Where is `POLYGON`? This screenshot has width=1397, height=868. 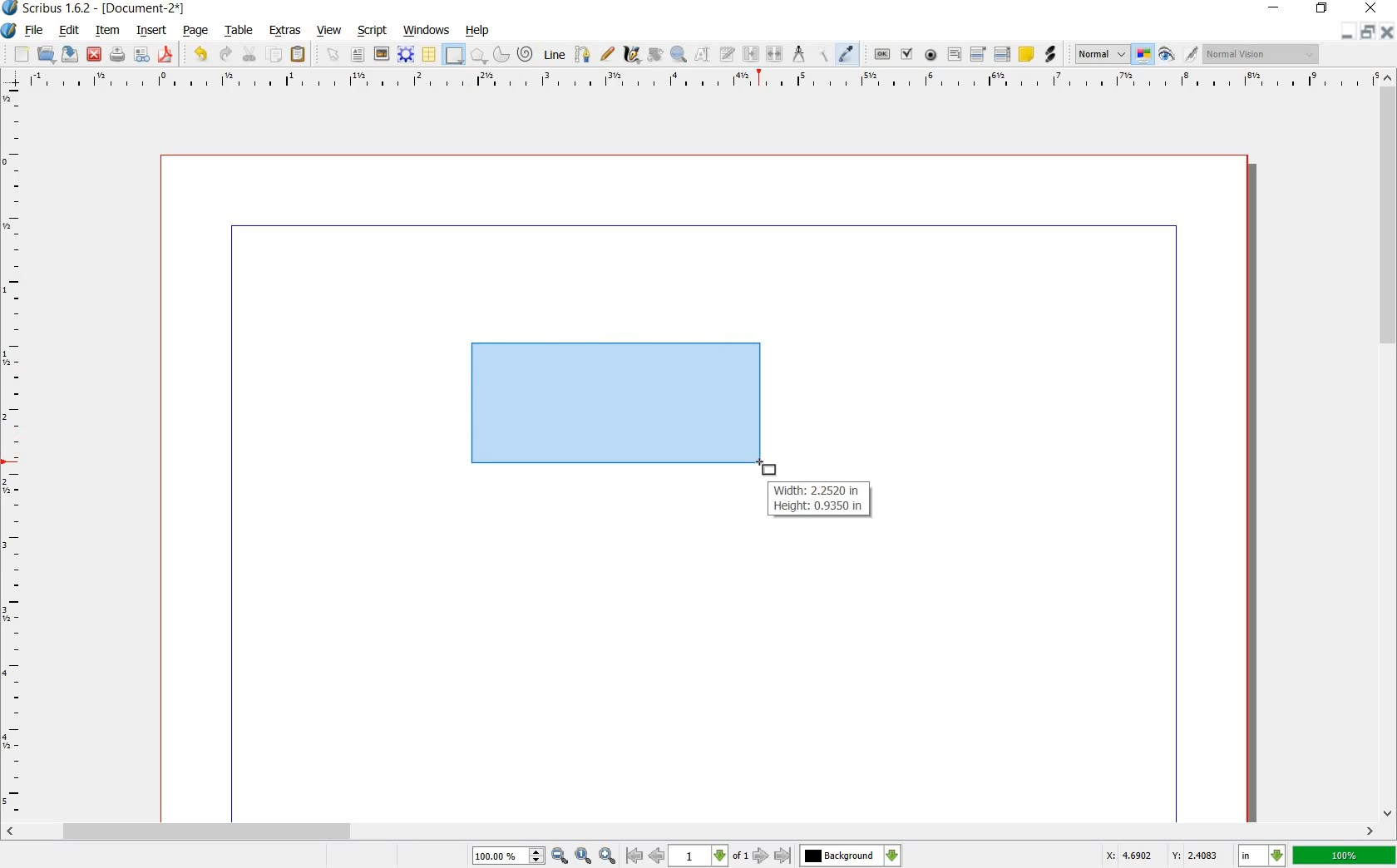 POLYGON is located at coordinates (479, 57).